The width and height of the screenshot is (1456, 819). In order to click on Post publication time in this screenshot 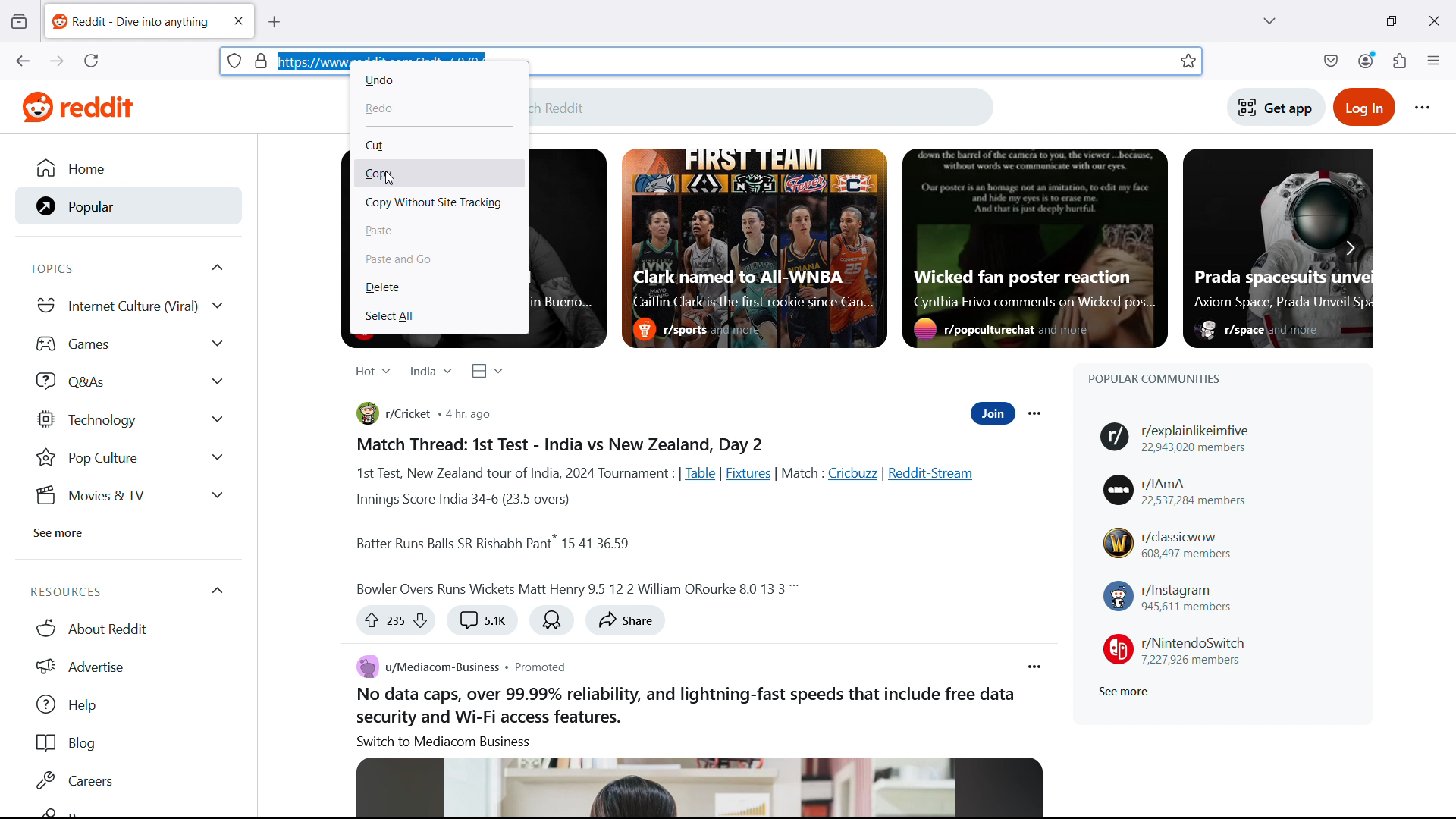, I will do `click(471, 414)`.